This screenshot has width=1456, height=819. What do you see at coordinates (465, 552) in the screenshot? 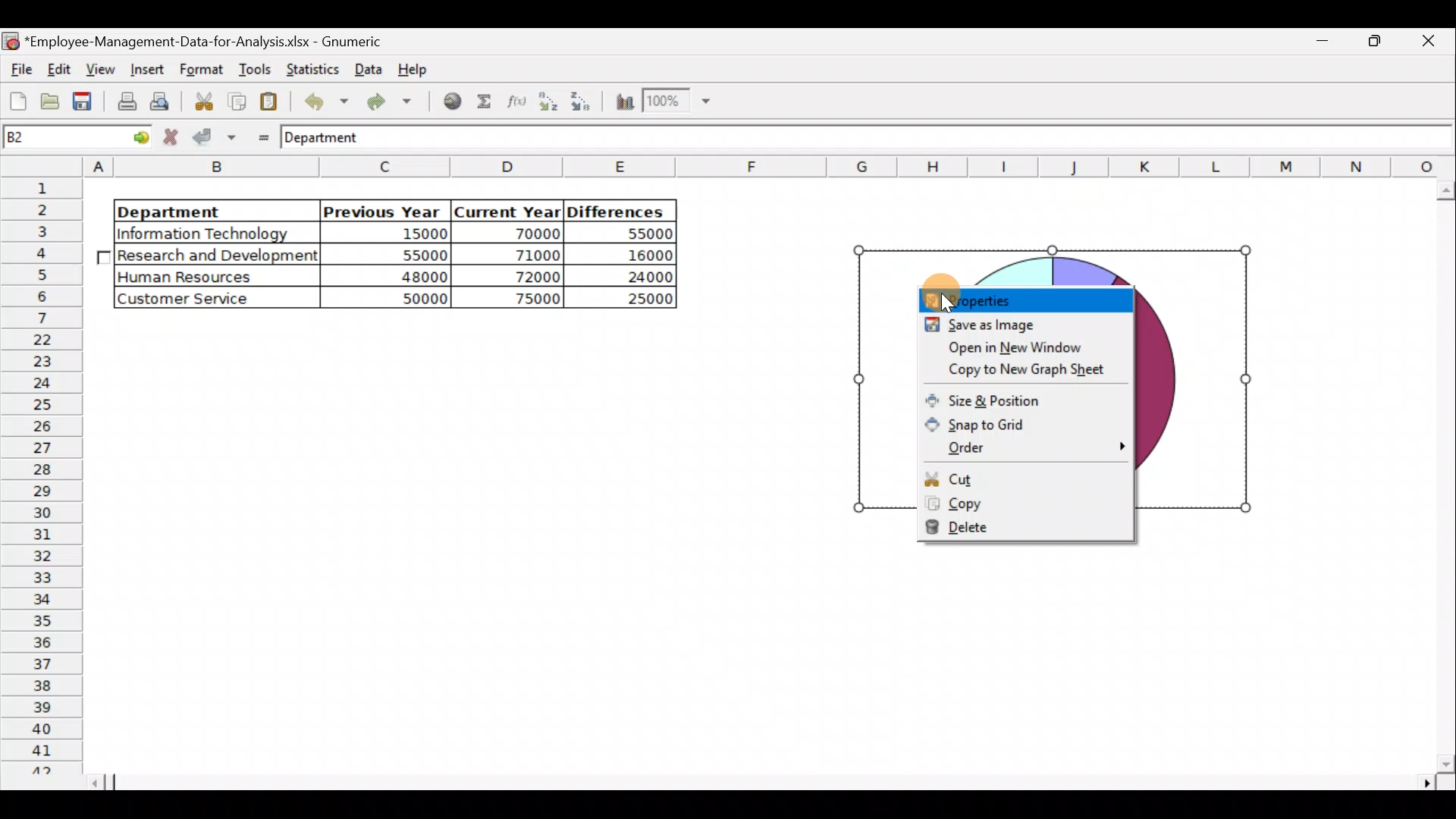
I see `Cells` at bounding box center [465, 552].